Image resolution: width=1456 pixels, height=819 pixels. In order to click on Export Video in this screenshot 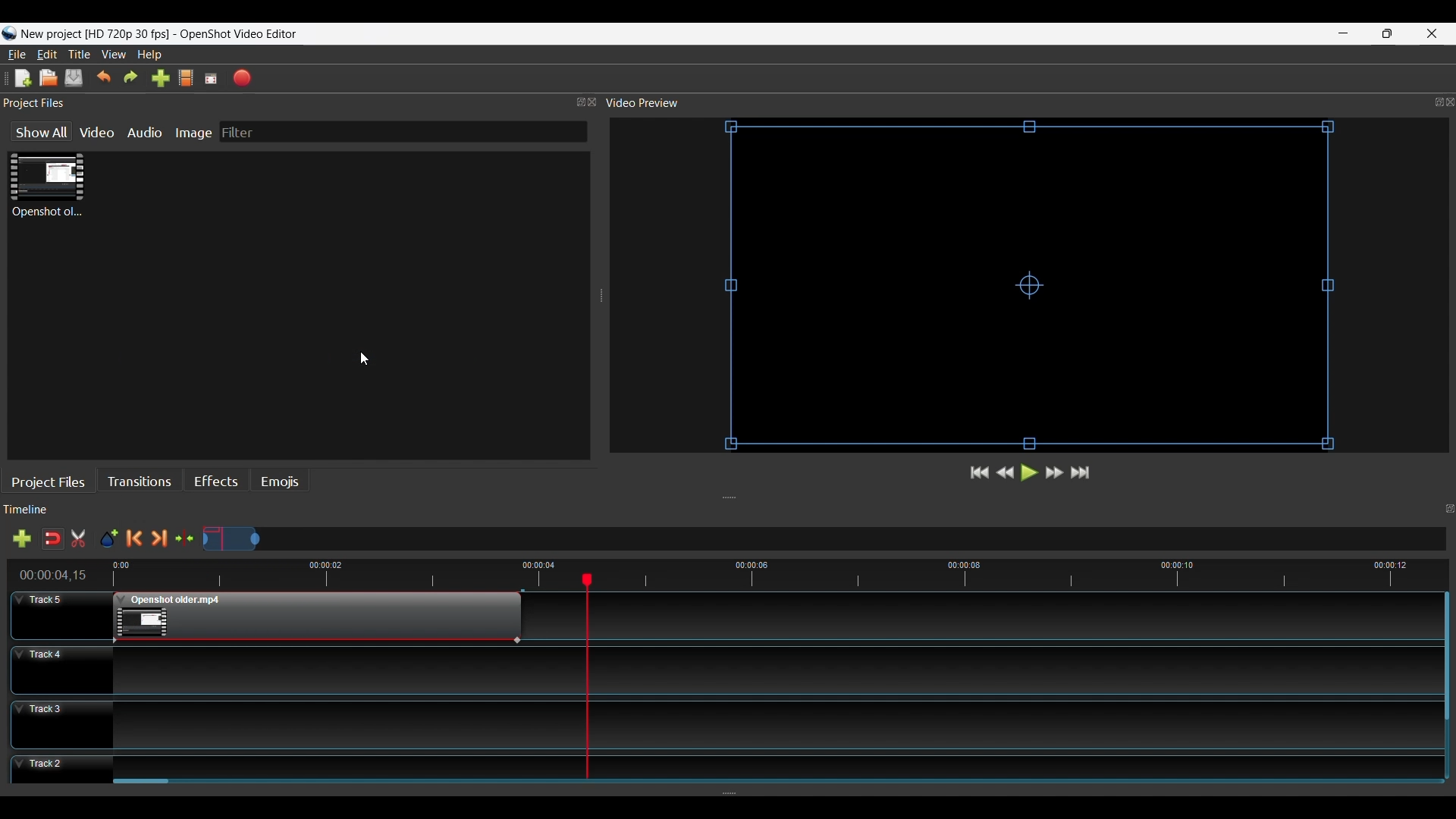, I will do `click(243, 77)`.